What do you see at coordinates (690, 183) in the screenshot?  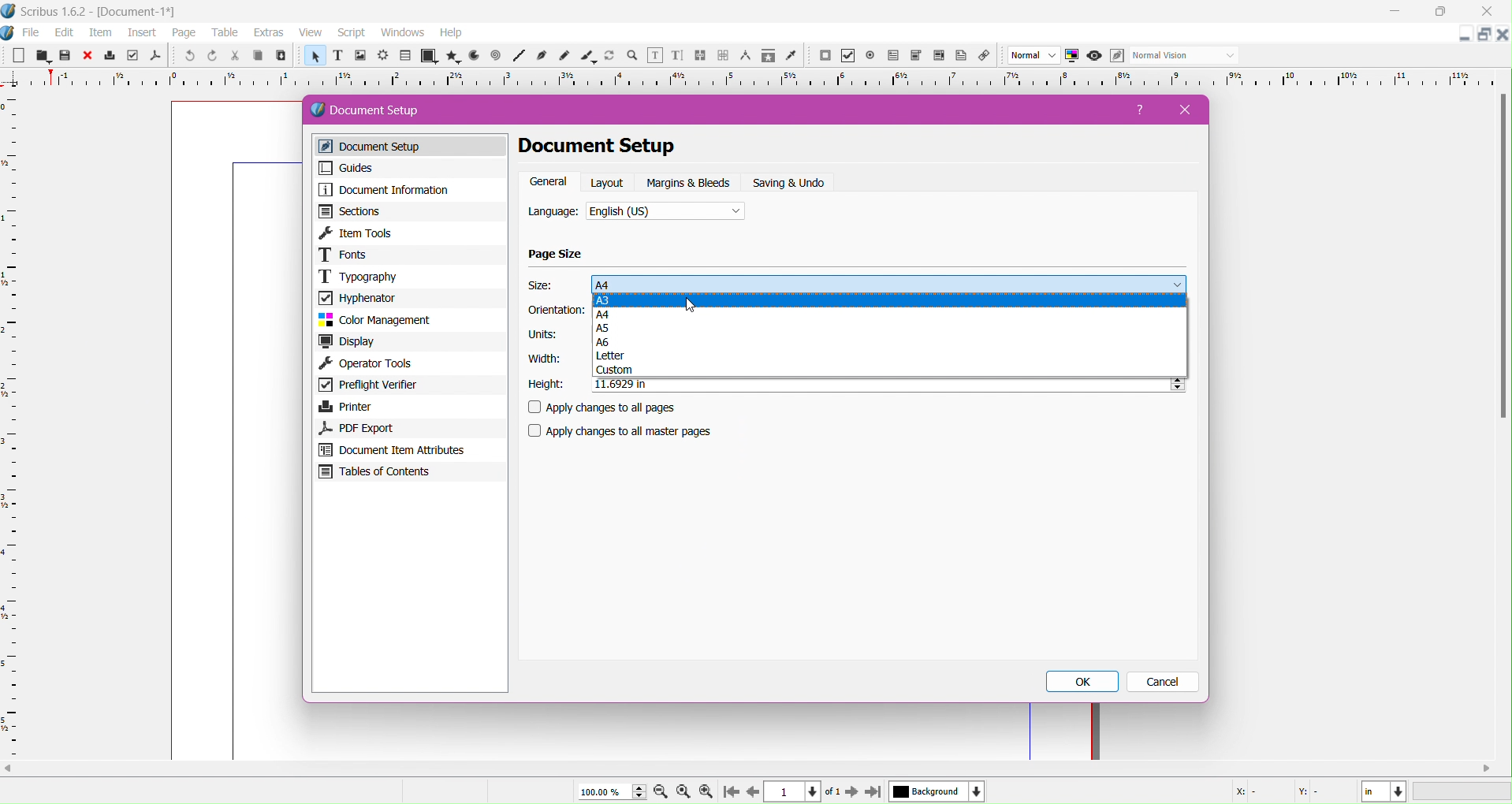 I see `Margins and Bleeds` at bounding box center [690, 183].